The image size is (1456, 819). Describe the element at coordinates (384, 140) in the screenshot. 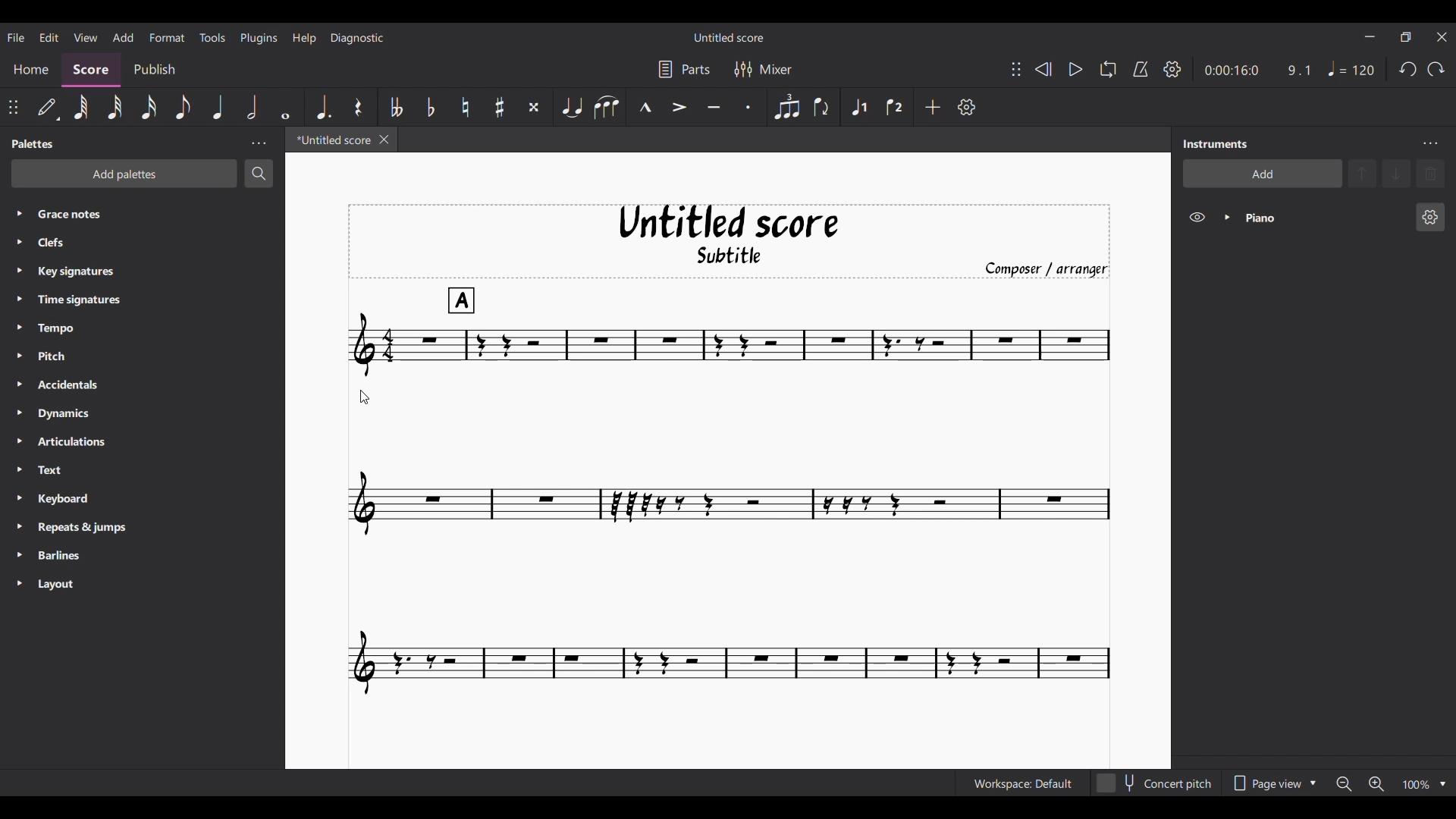

I see `Close current score tab` at that location.